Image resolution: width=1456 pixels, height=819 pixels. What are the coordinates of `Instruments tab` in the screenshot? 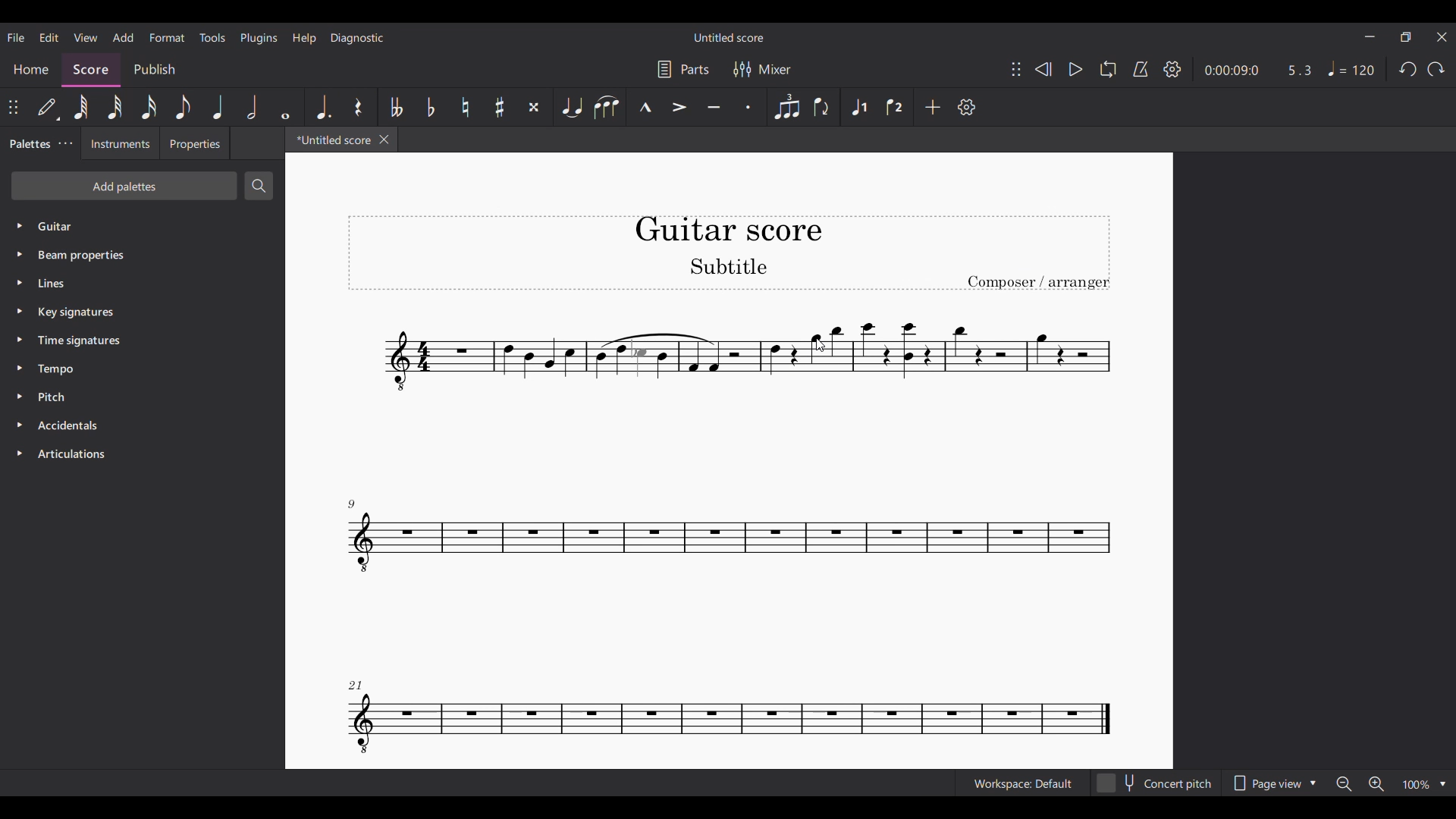 It's located at (121, 143).